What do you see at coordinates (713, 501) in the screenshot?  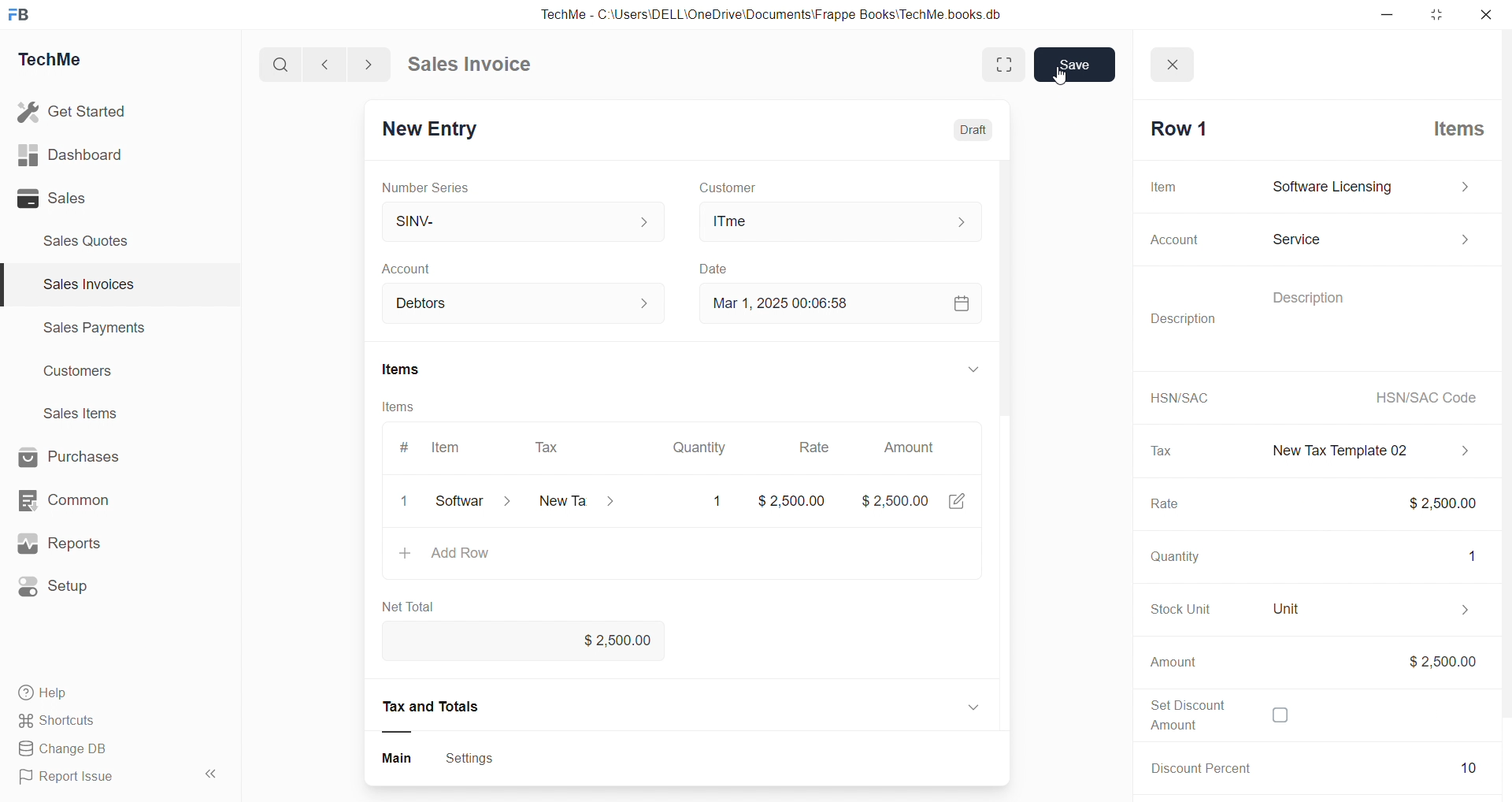 I see `1` at bounding box center [713, 501].